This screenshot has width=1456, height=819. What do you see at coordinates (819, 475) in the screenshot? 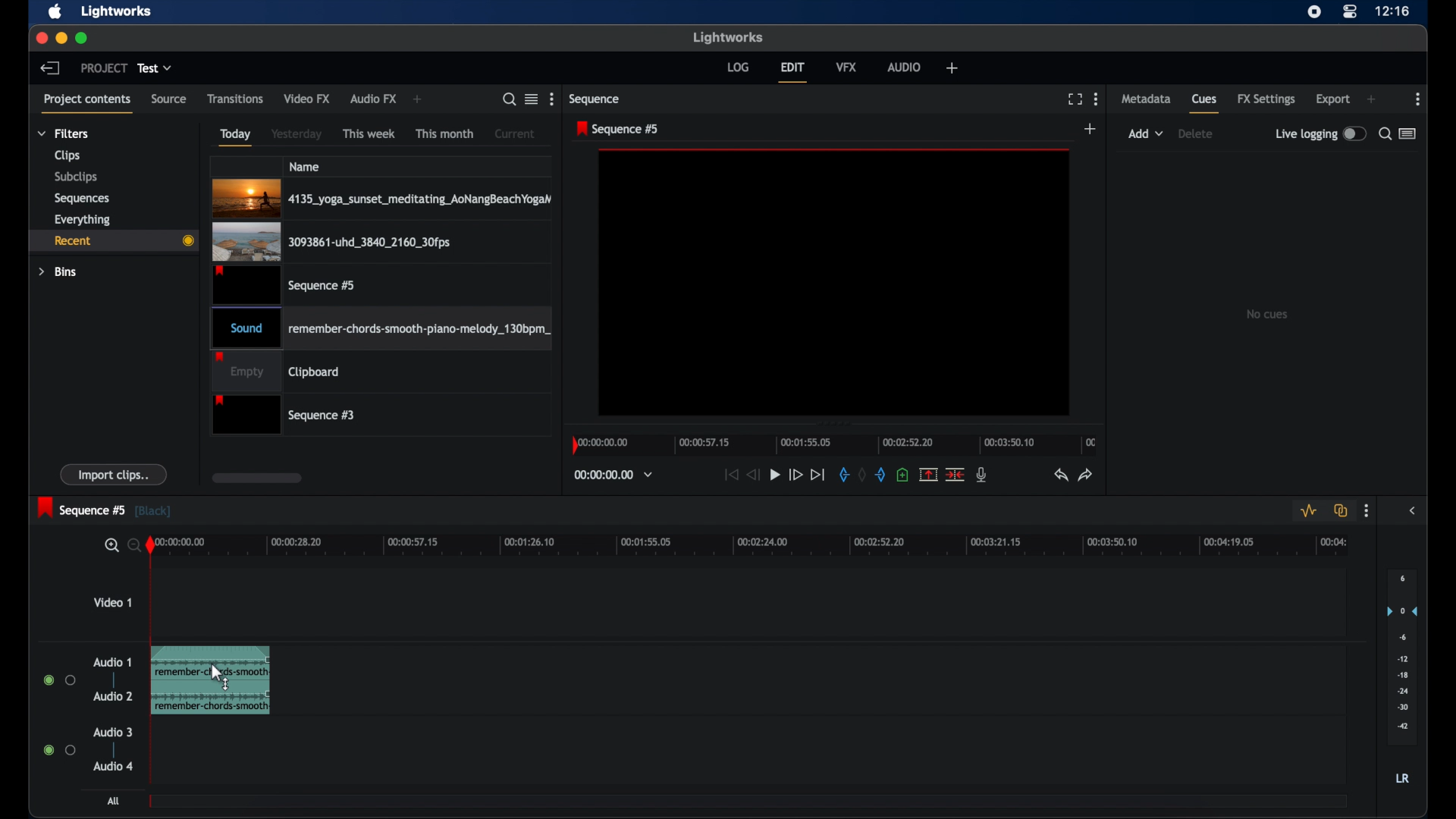
I see `jump to end` at bounding box center [819, 475].